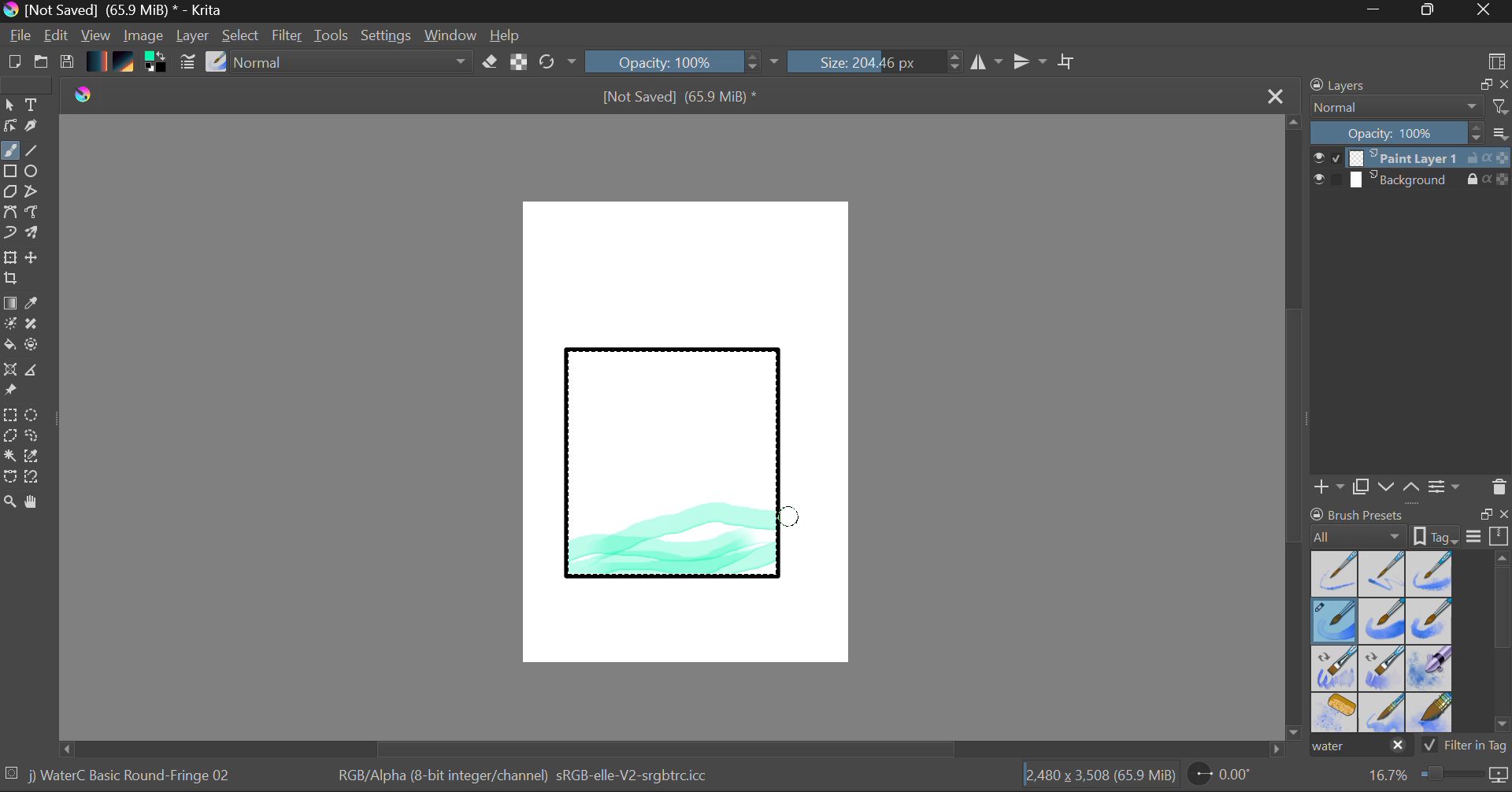 This screenshot has width=1512, height=792. Describe the element at coordinates (1099, 778) in the screenshot. I see `Document Dimensions` at that location.